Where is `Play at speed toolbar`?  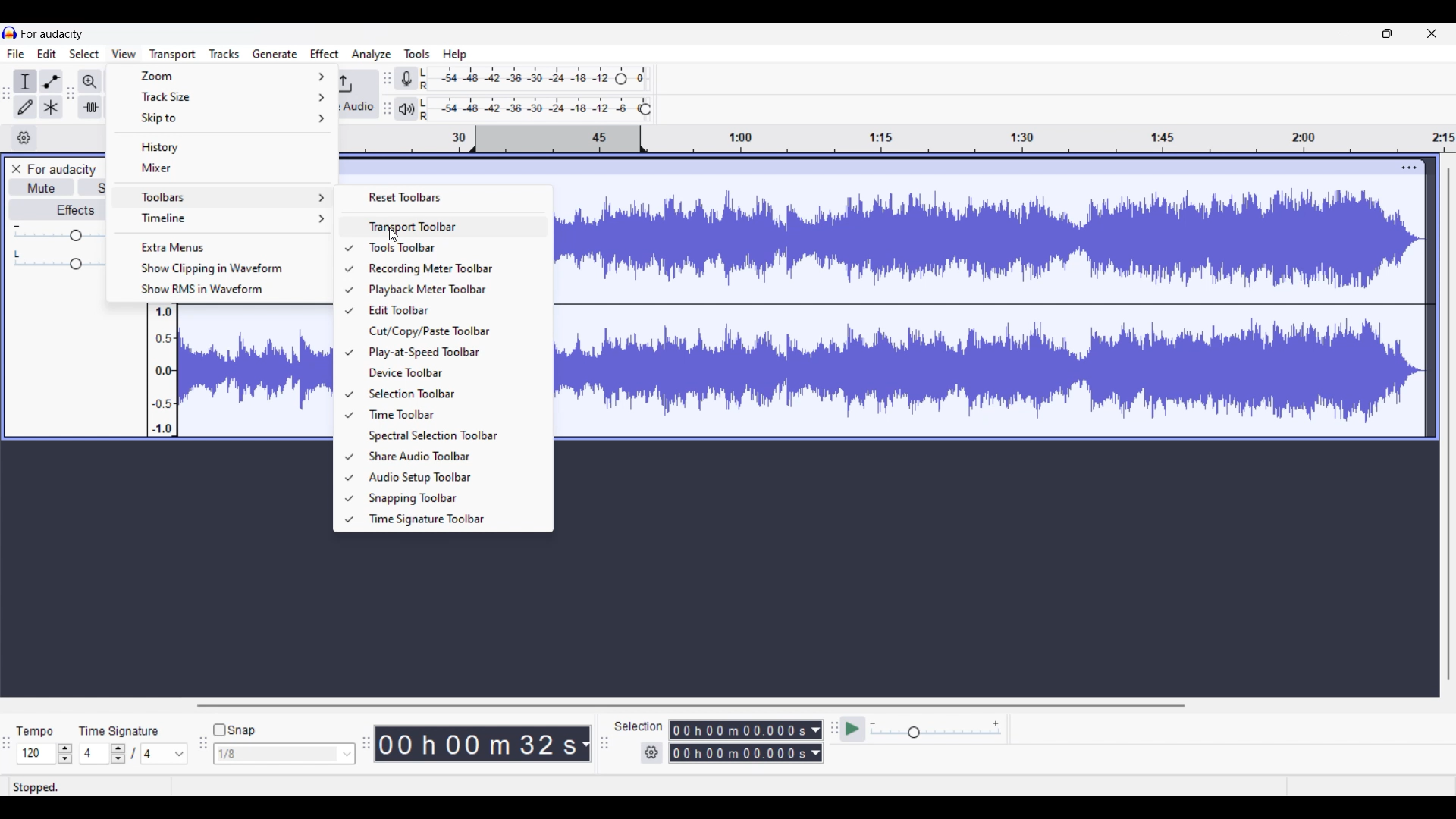
Play at speed toolbar is located at coordinates (452, 353).